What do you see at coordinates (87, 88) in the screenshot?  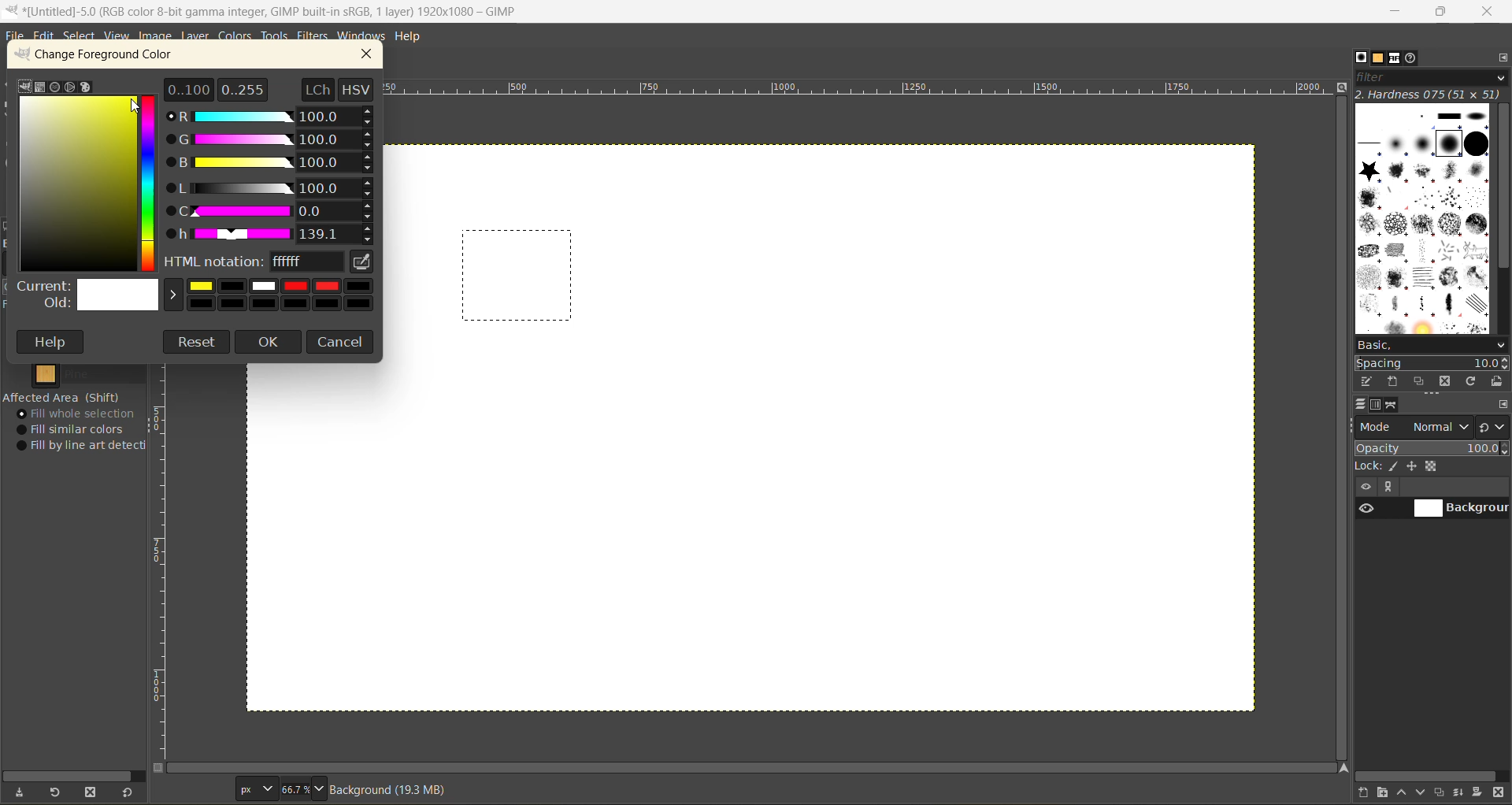 I see `palette` at bounding box center [87, 88].